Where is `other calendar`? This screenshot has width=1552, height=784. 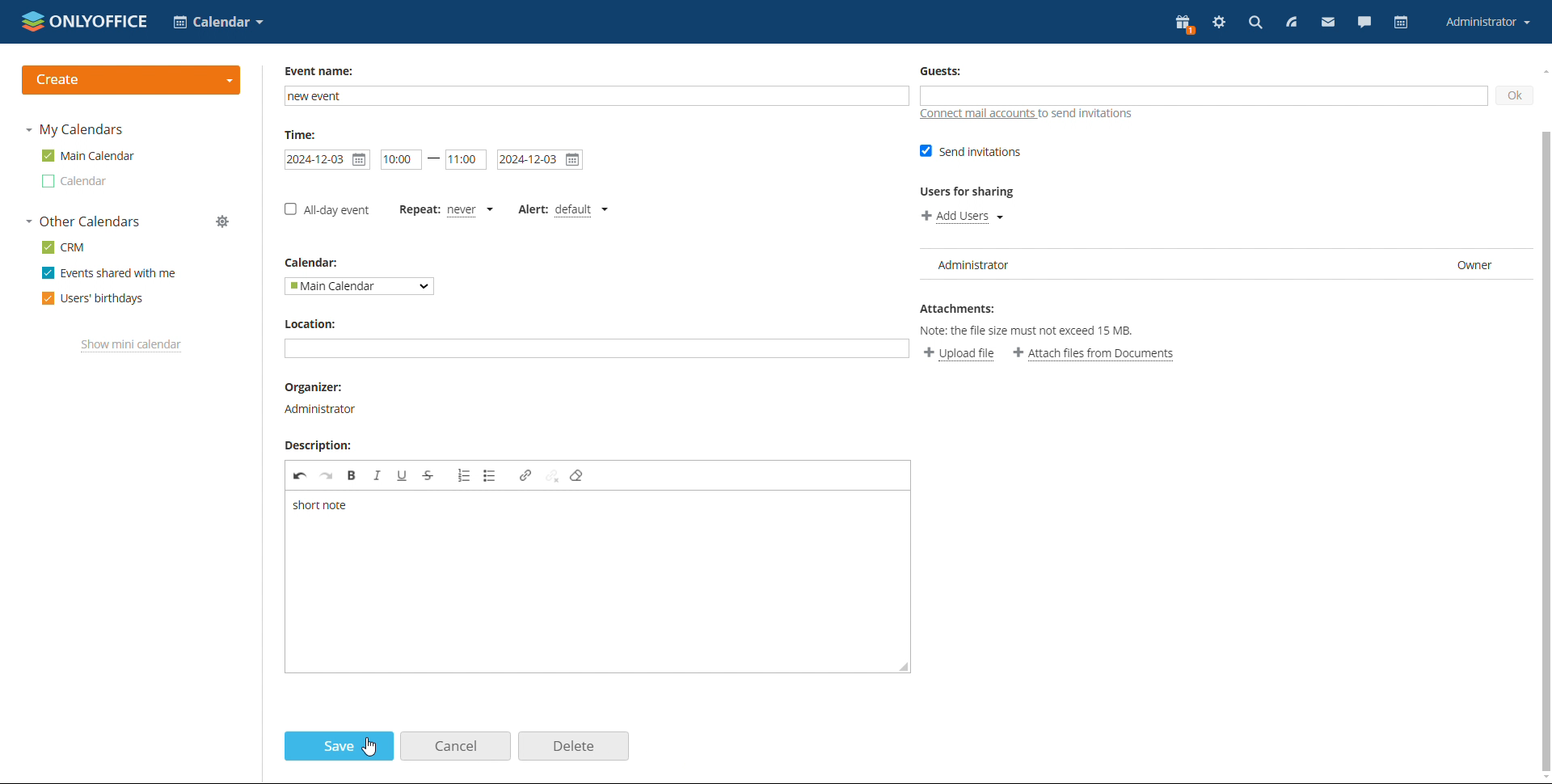 other calendar is located at coordinates (76, 181).